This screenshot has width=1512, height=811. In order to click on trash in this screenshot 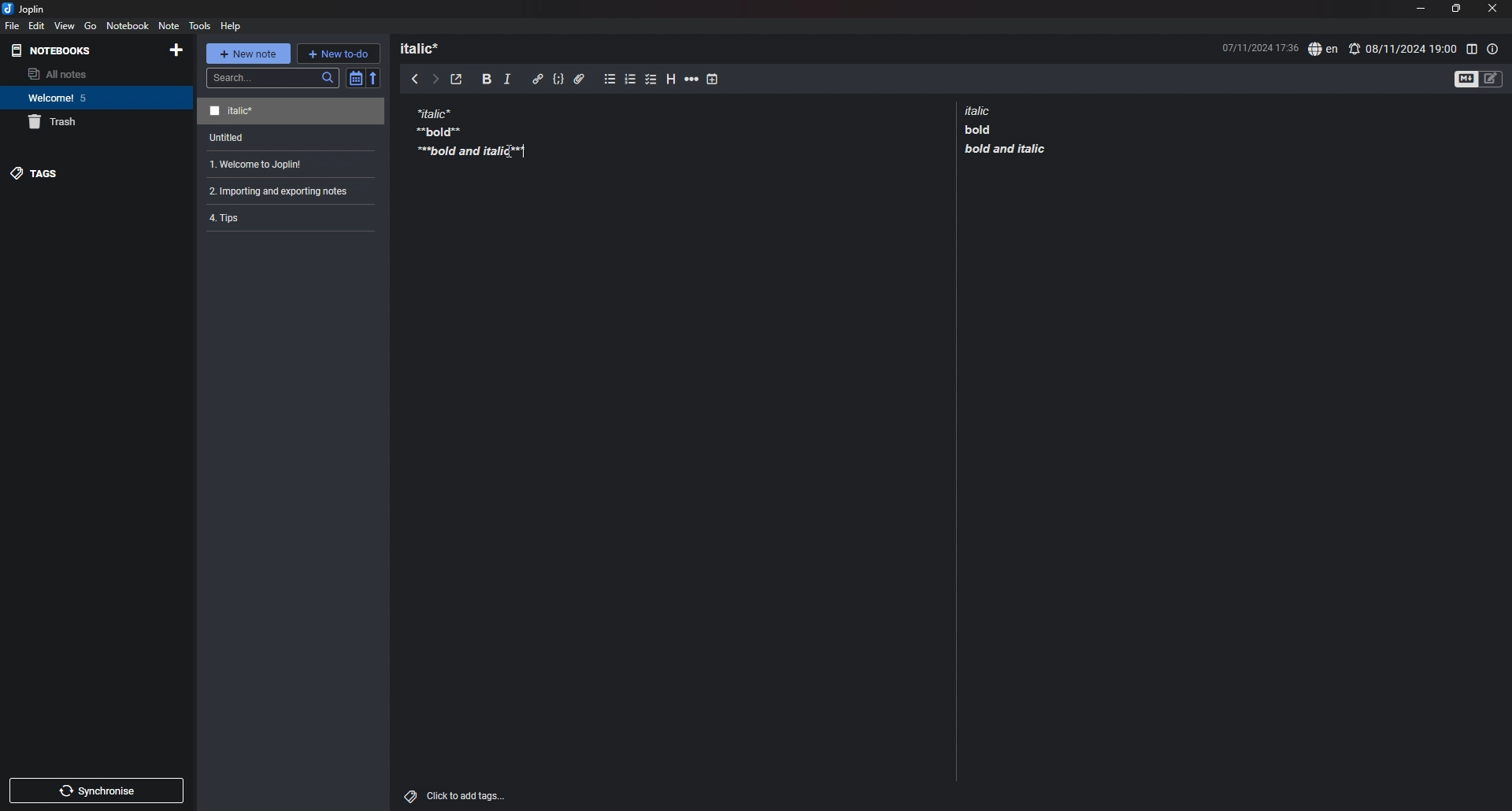, I will do `click(97, 122)`.